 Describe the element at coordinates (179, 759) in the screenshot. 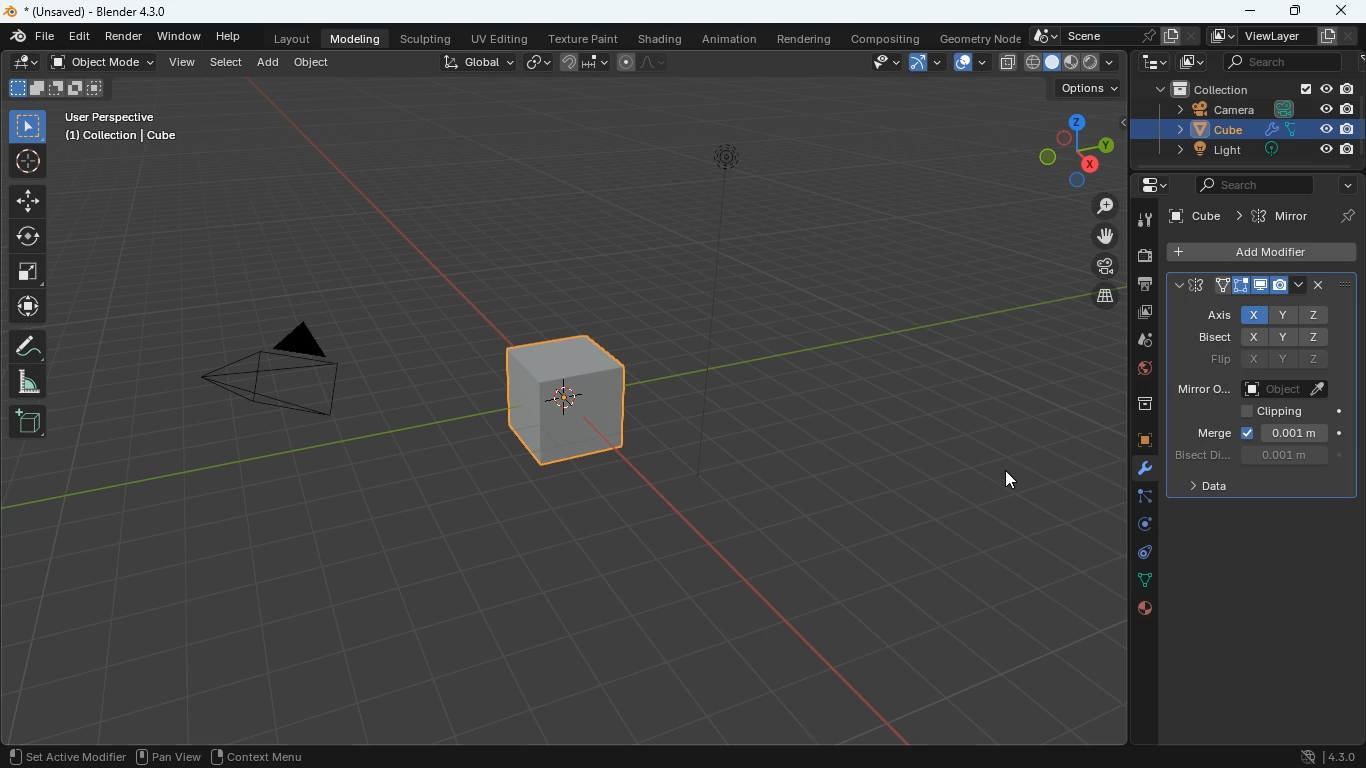

I see `view` at that location.